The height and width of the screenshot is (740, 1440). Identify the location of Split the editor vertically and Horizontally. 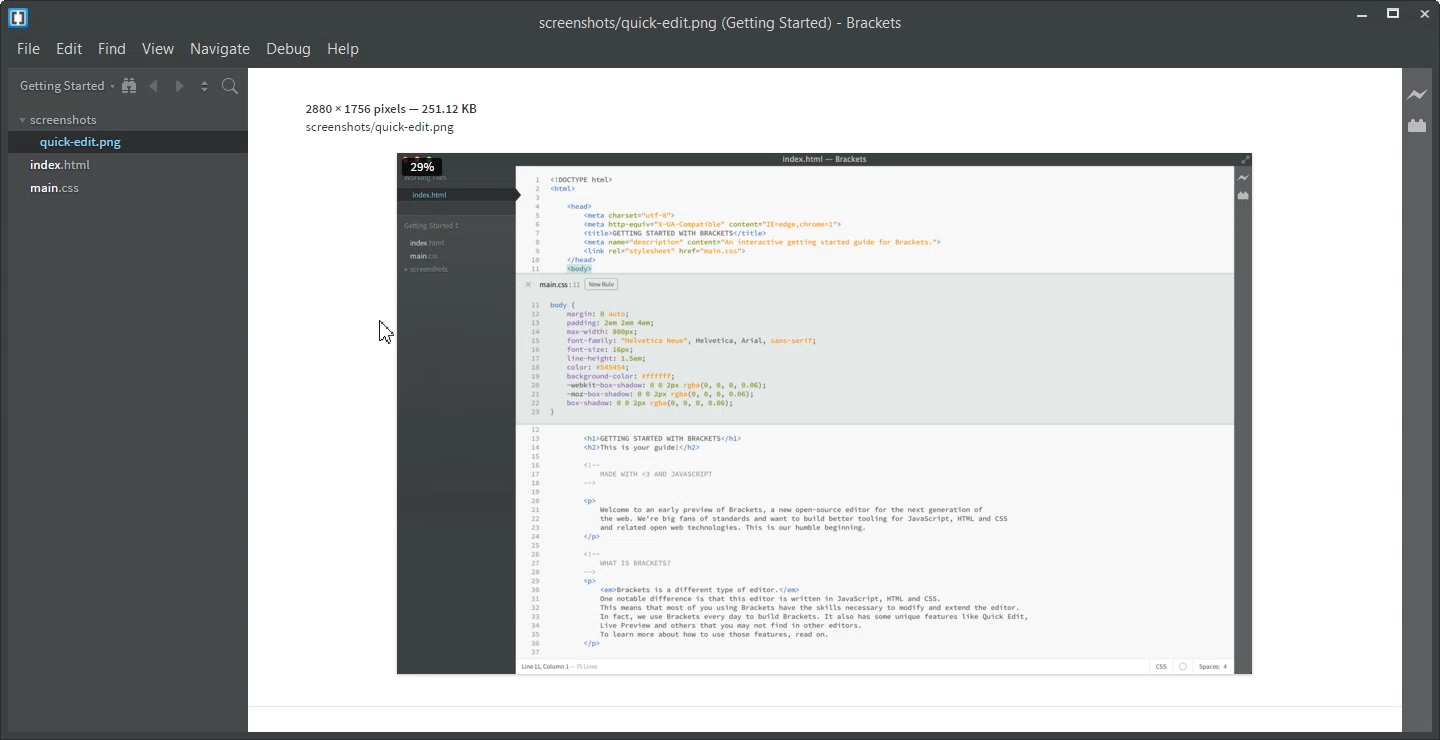
(205, 86).